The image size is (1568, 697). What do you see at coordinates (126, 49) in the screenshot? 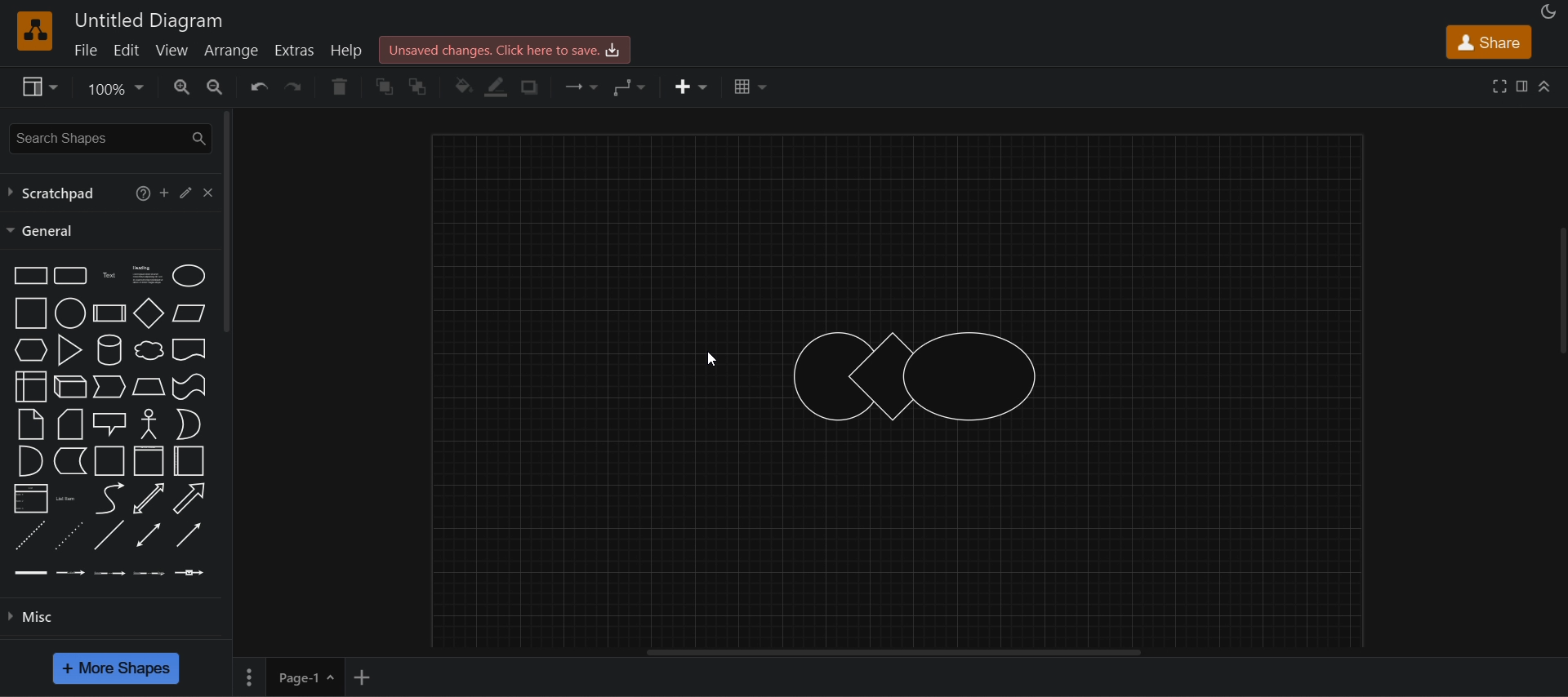
I see `edit` at bounding box center [126, 49].